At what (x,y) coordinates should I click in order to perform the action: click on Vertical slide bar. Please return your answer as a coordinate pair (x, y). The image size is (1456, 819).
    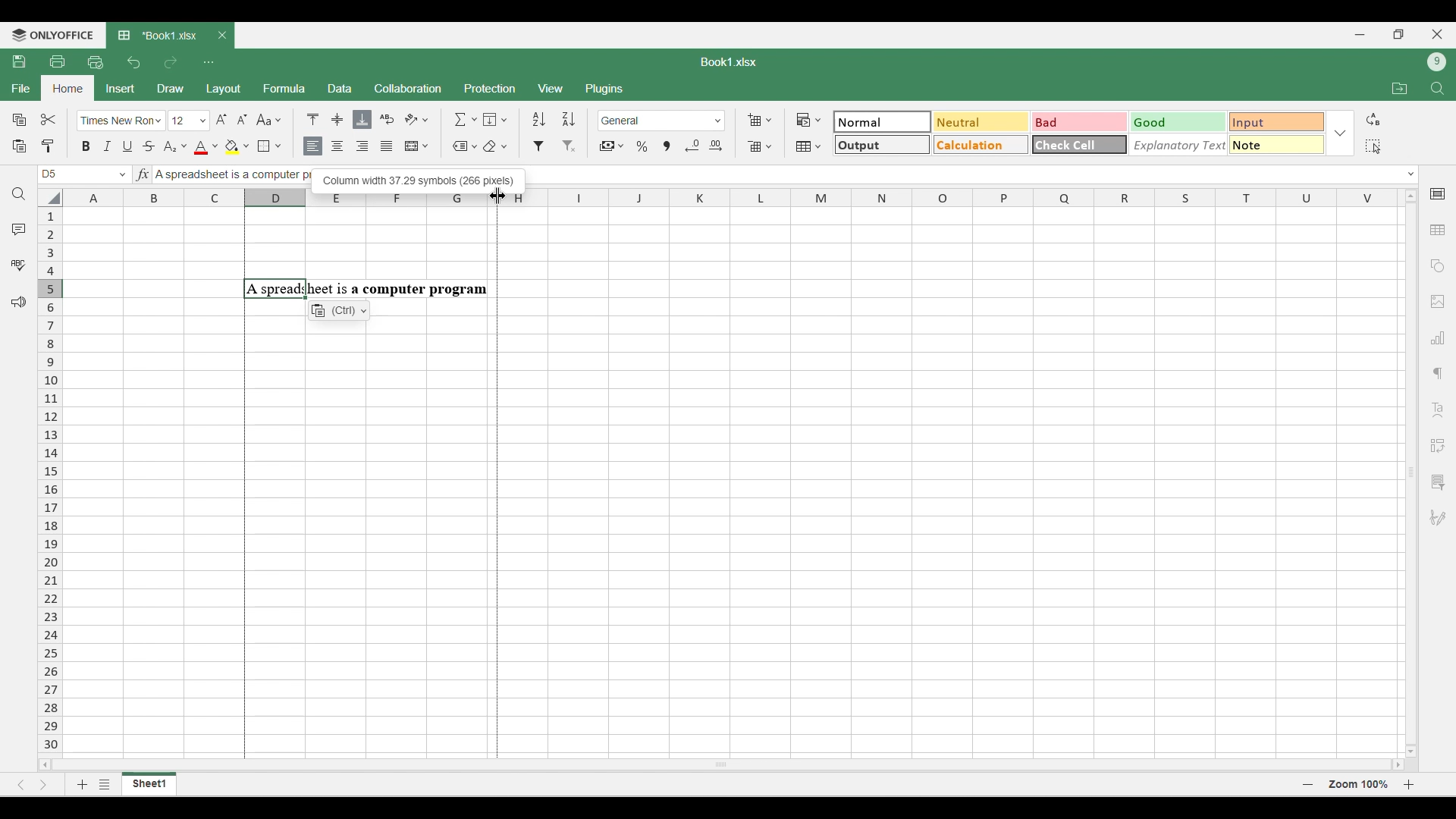
    Looking at the image, I should click on (1412, 472).